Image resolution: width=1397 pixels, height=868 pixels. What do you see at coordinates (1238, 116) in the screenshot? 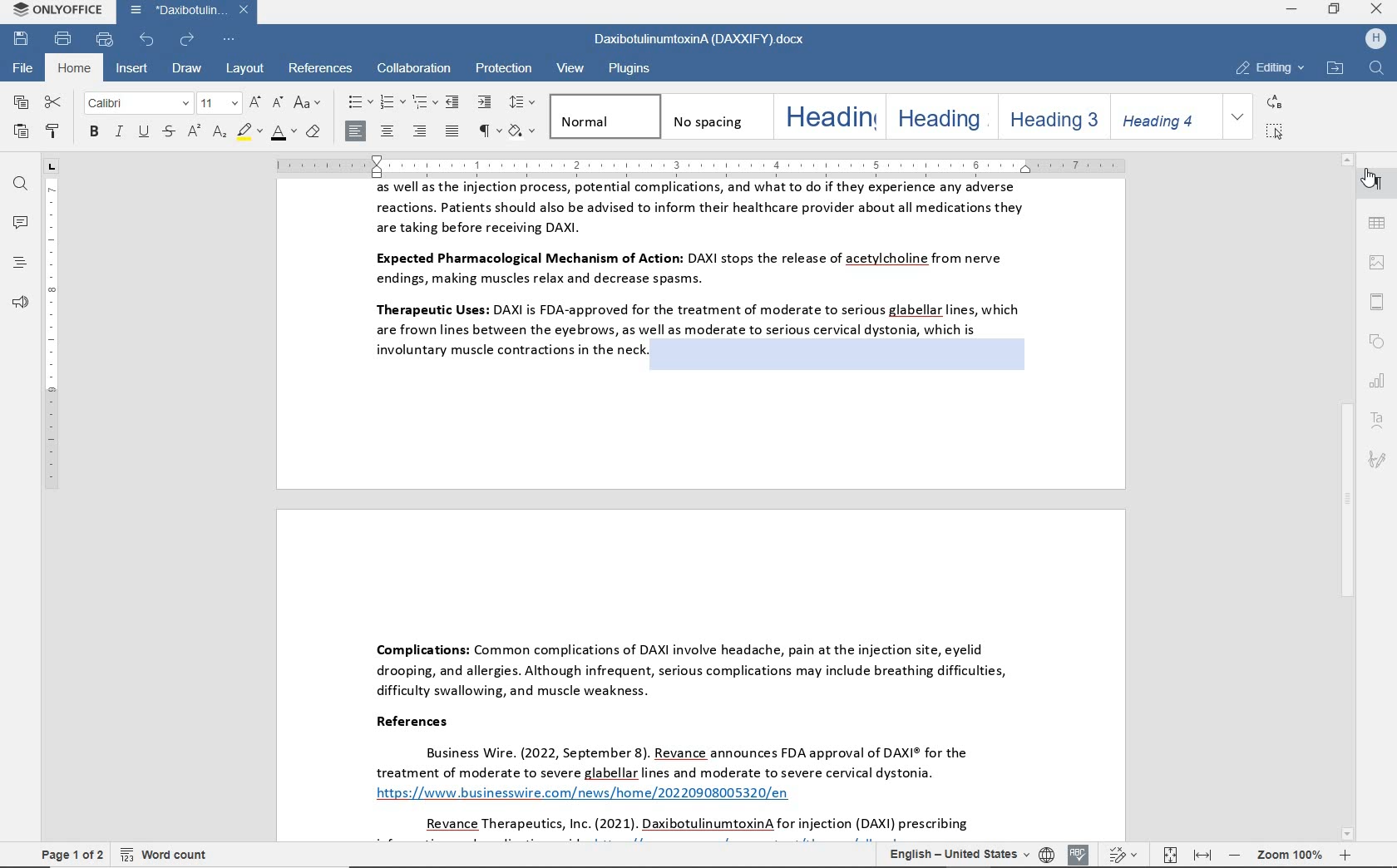
I see `expand` at bounding box center [1238, 116].